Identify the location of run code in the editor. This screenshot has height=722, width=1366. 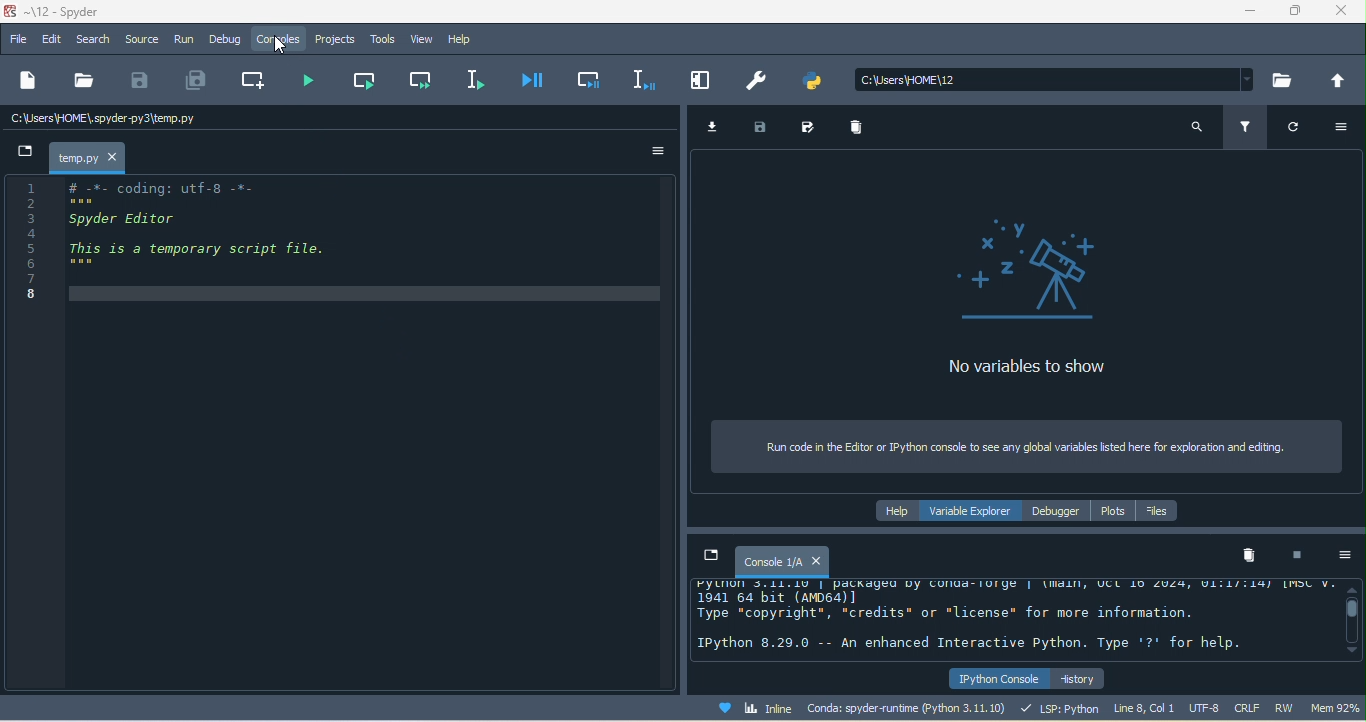
(1029, 448).